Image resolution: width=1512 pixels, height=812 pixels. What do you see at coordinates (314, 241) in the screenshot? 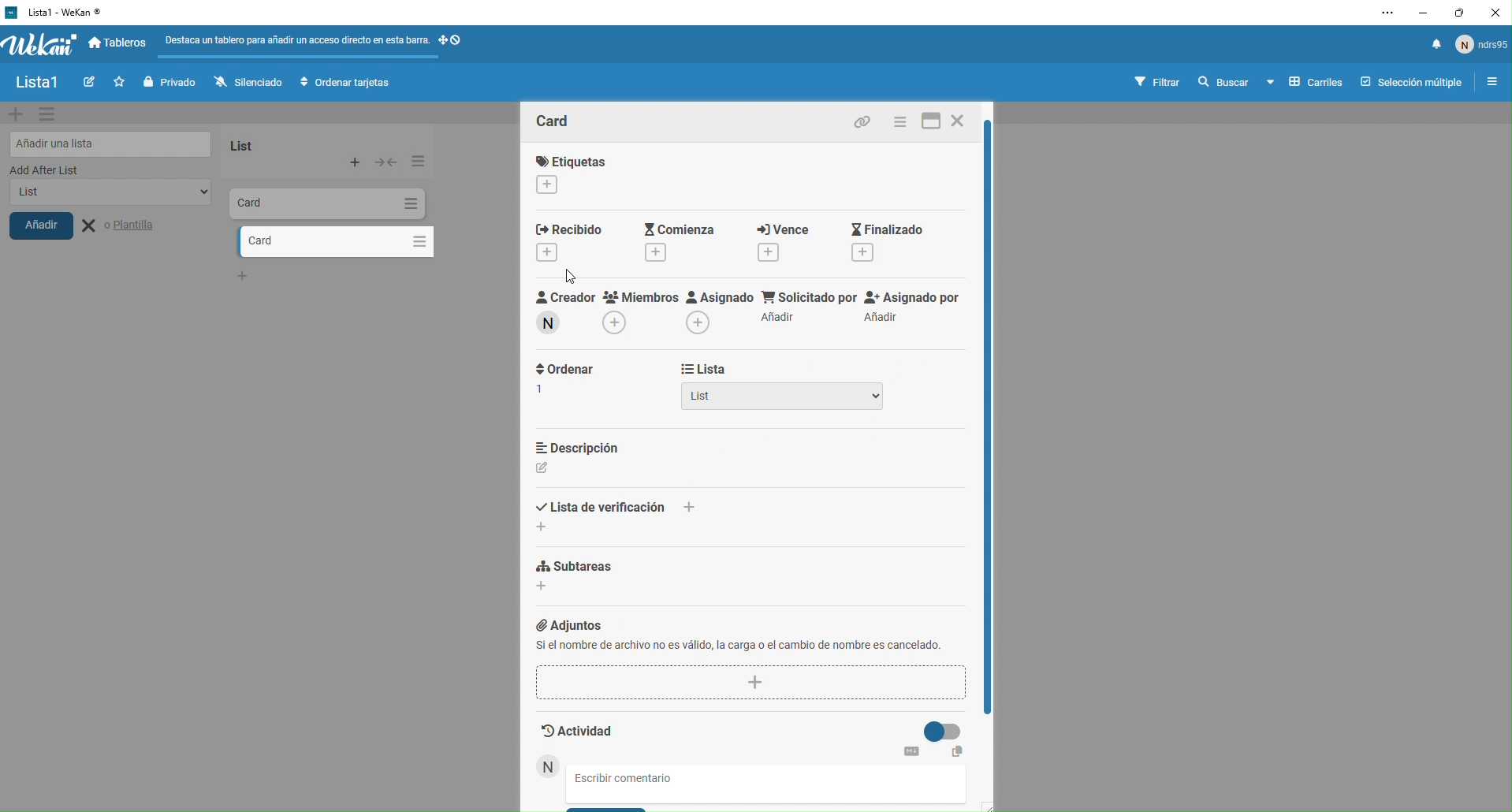
I see `card 2` at bounding box center [314, 241].